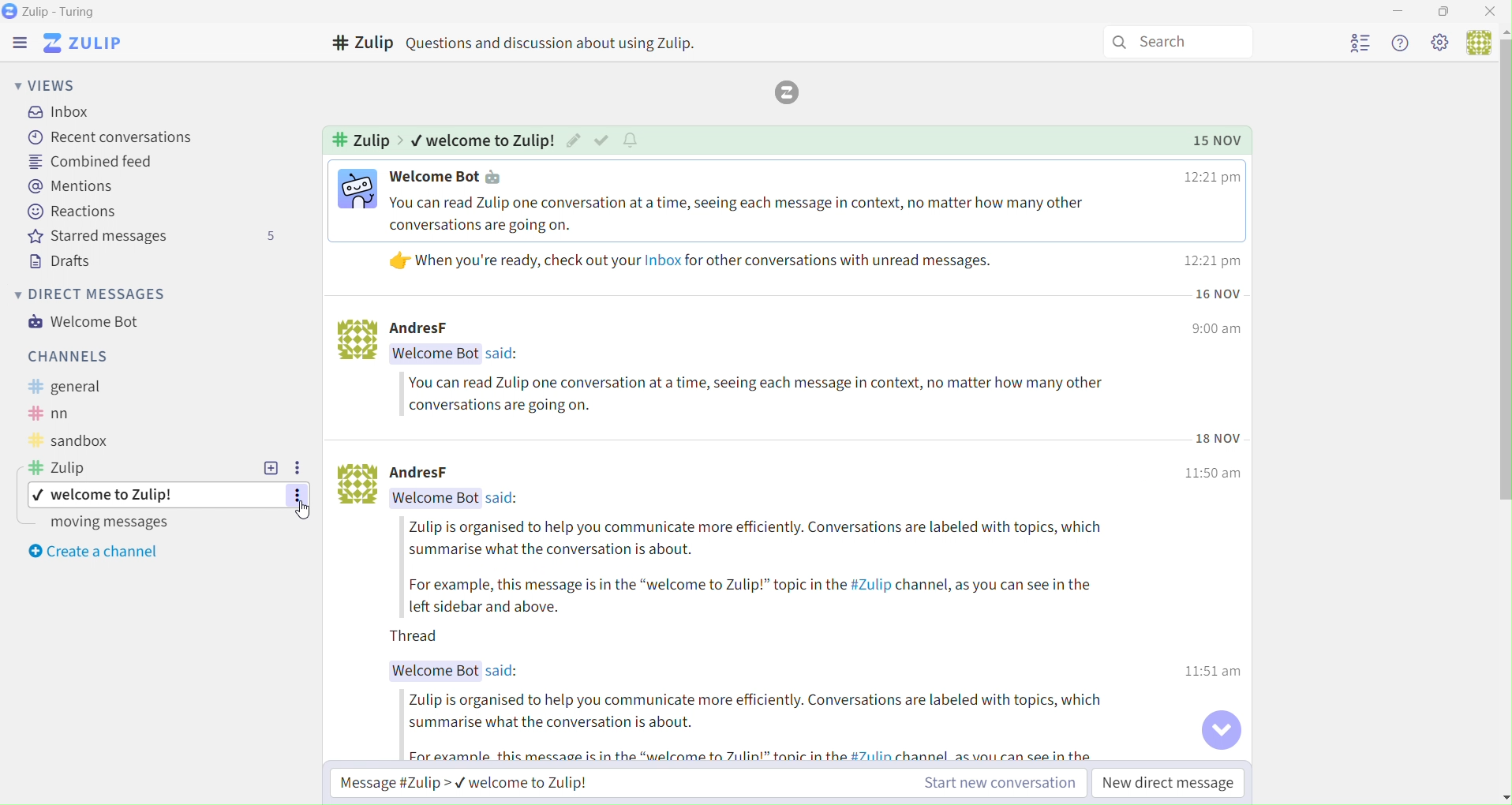  I want to click on Go to bottom of conversation button, so click(1221, 730).